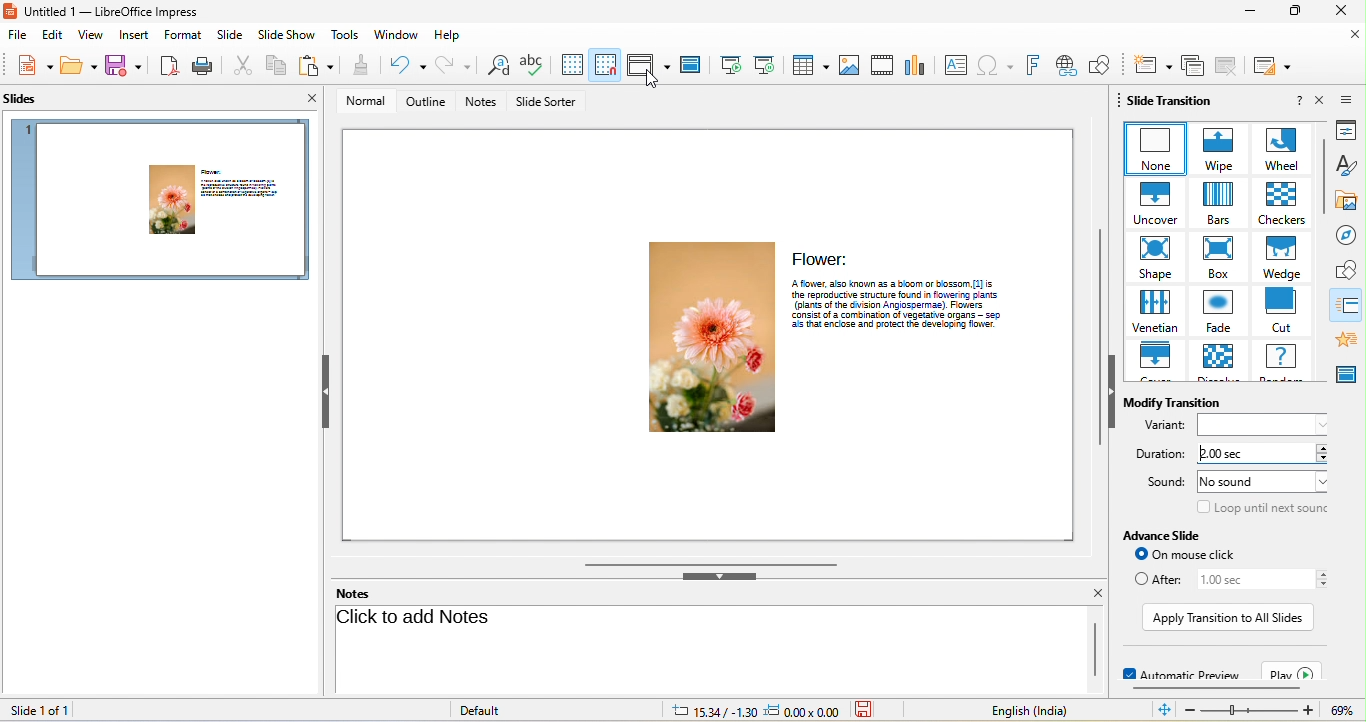 Image resolution: width=1366 pixels, height=722 pixels. Describe the element at coordinates (1268, 425) in the screenshot. I see `variant` at that location.